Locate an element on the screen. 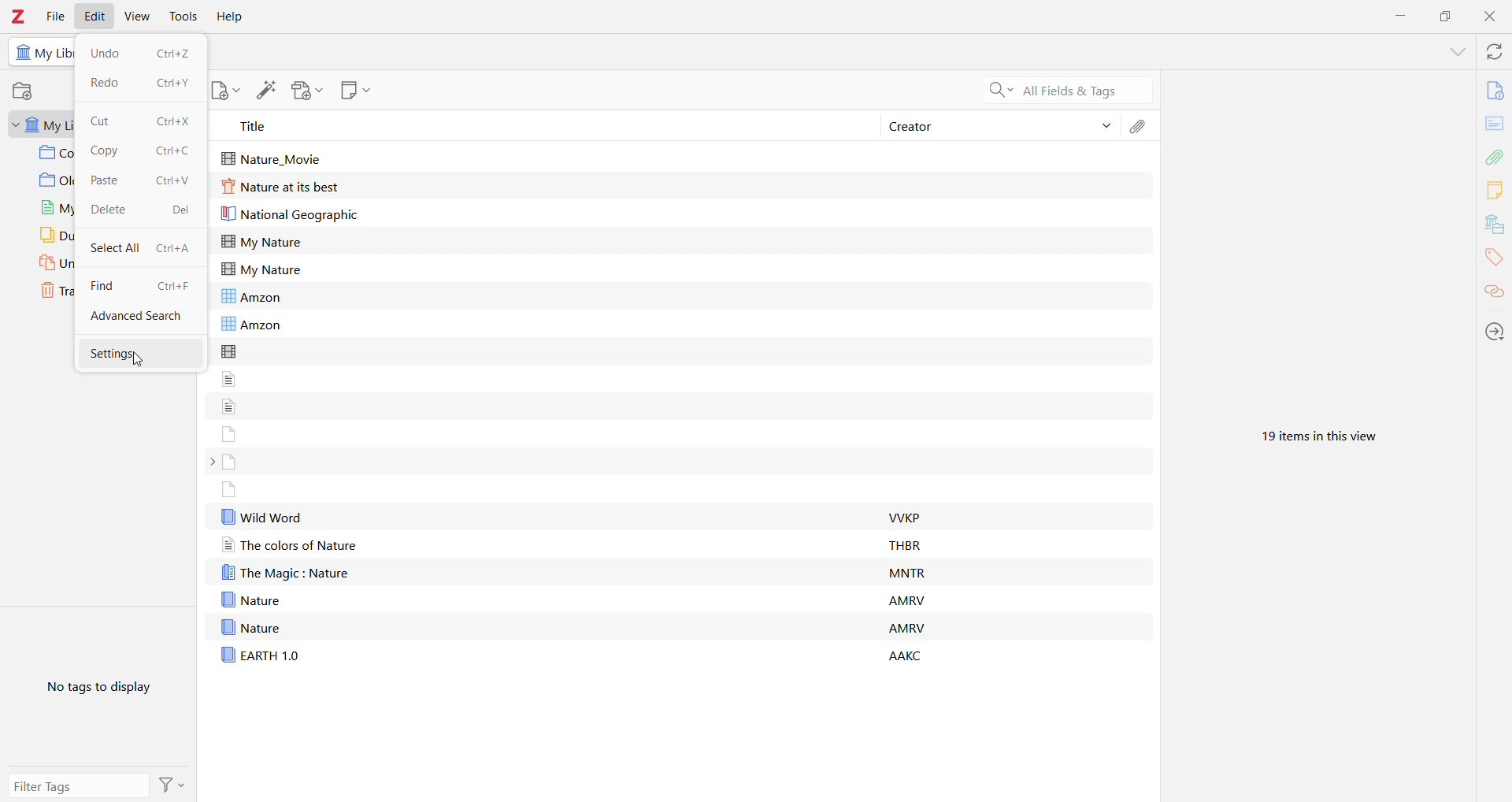 The width and height of the screenshot is (1512, 802). Paste is located at coordinates (109, 180).